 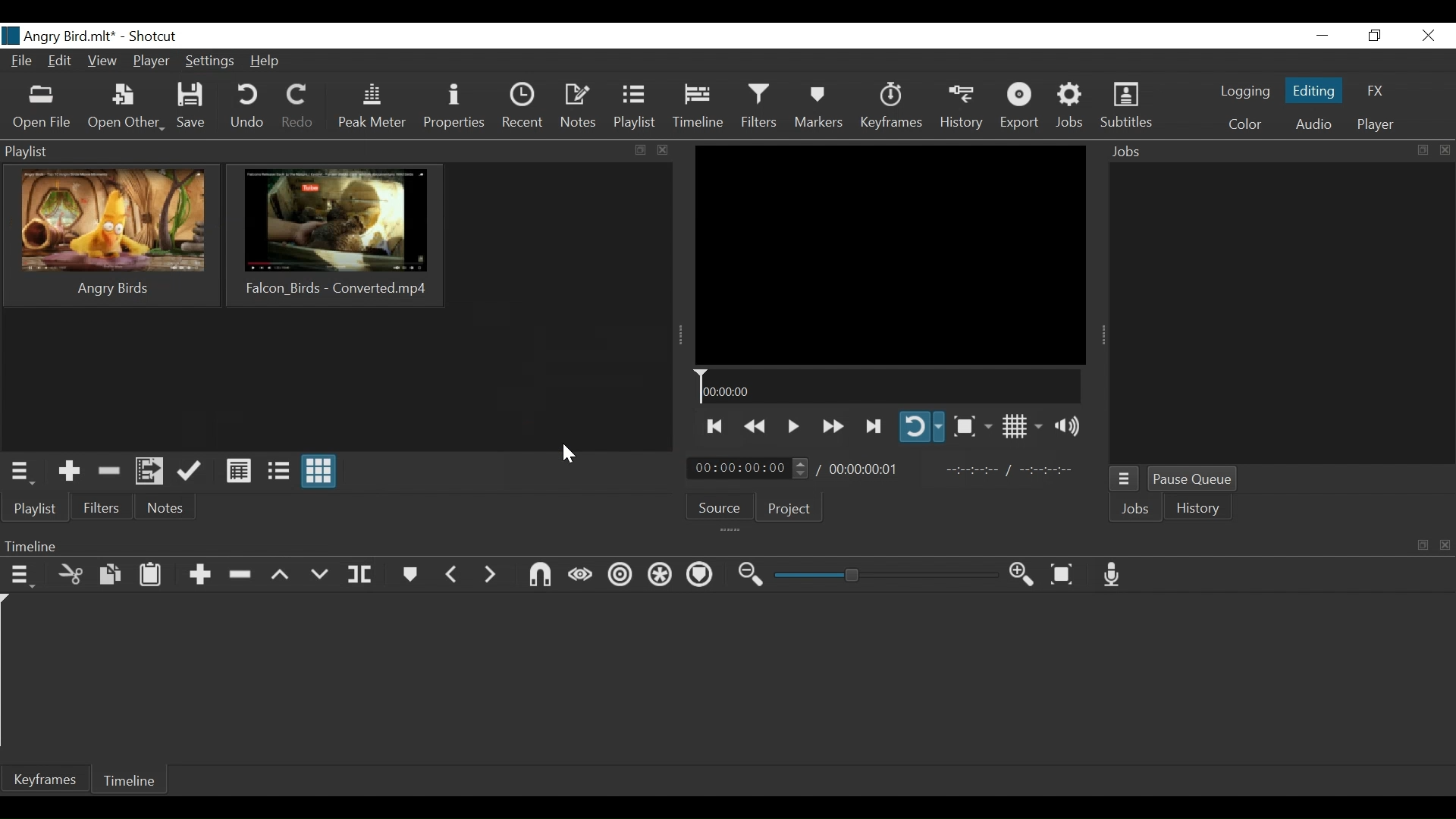 I want to click on Append, so click(x=202, y=576).